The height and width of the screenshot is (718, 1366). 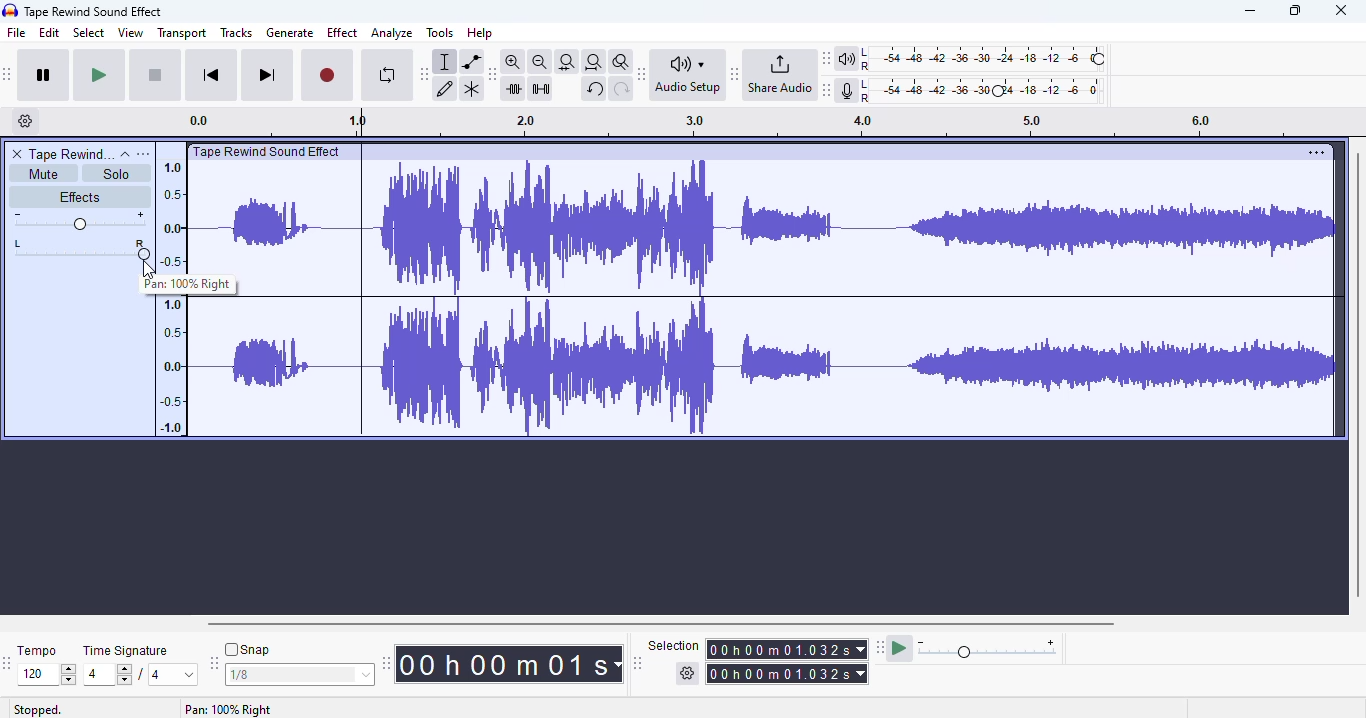 I want to click on draw tool, so click(x=445, y=90).